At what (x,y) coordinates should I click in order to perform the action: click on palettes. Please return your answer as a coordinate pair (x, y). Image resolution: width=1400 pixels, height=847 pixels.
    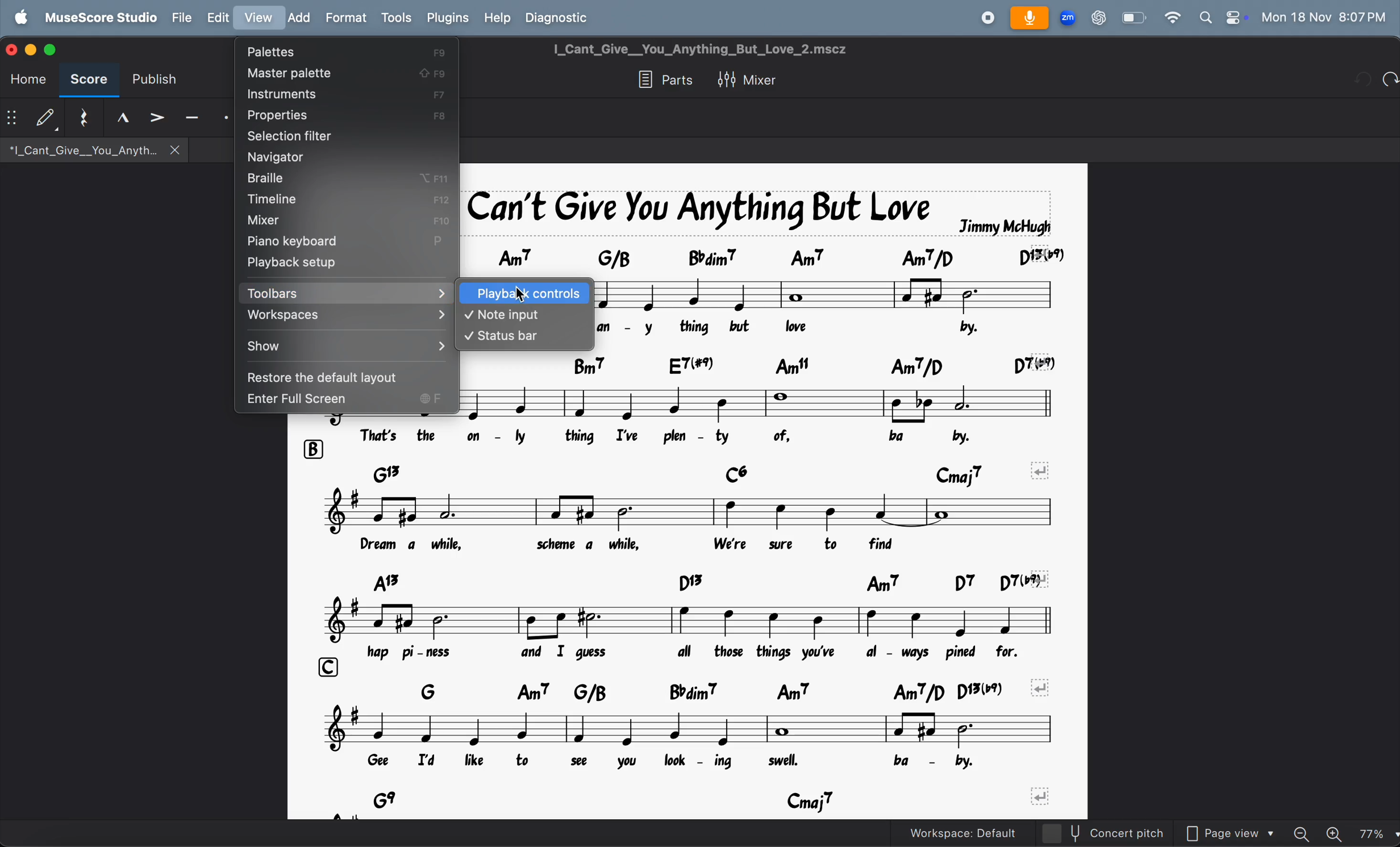
    Looking at the image, I should click on (346, 54).